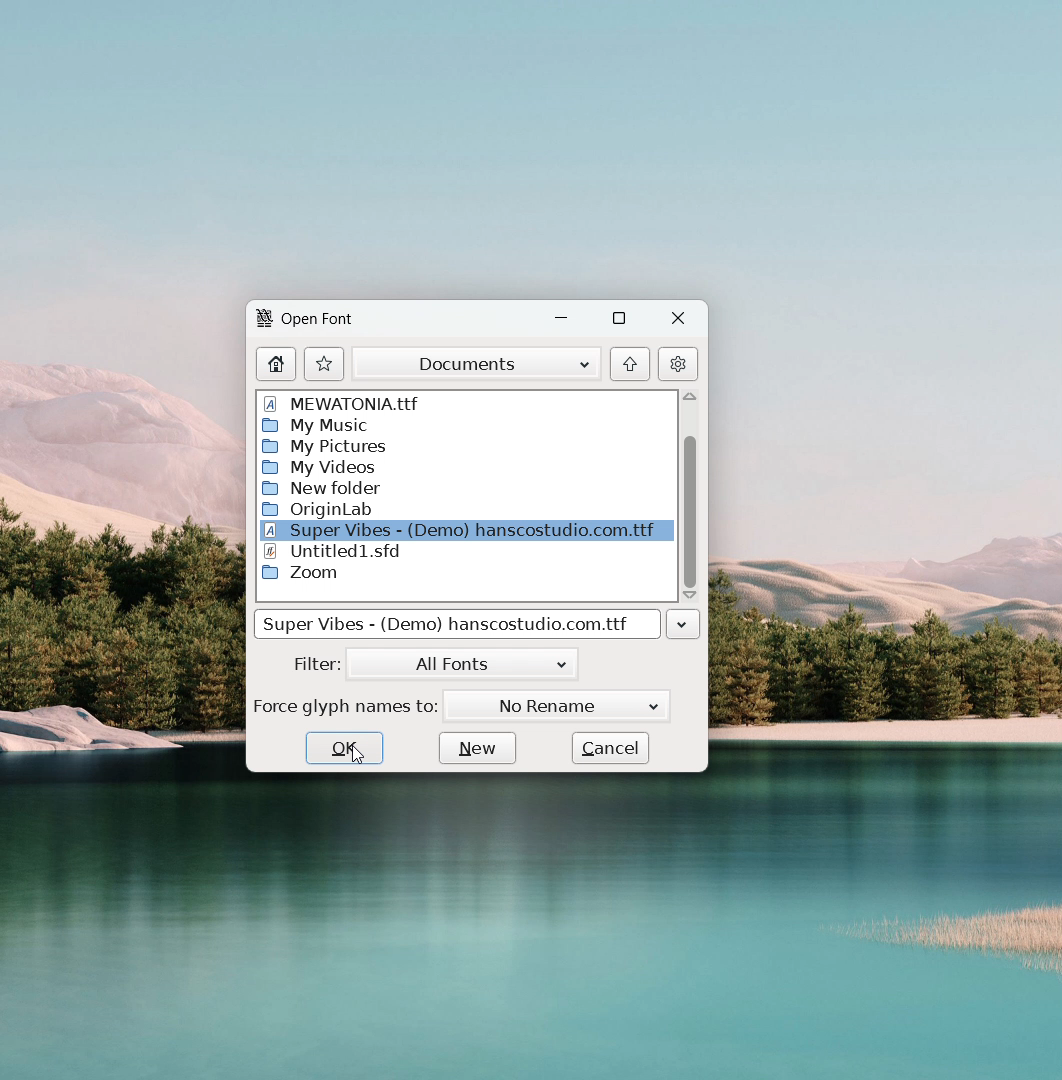 The image size is (1062, 1080). Describe the element at coordinates (319, 469) in the screenshot. I see `My Videos` at that location.